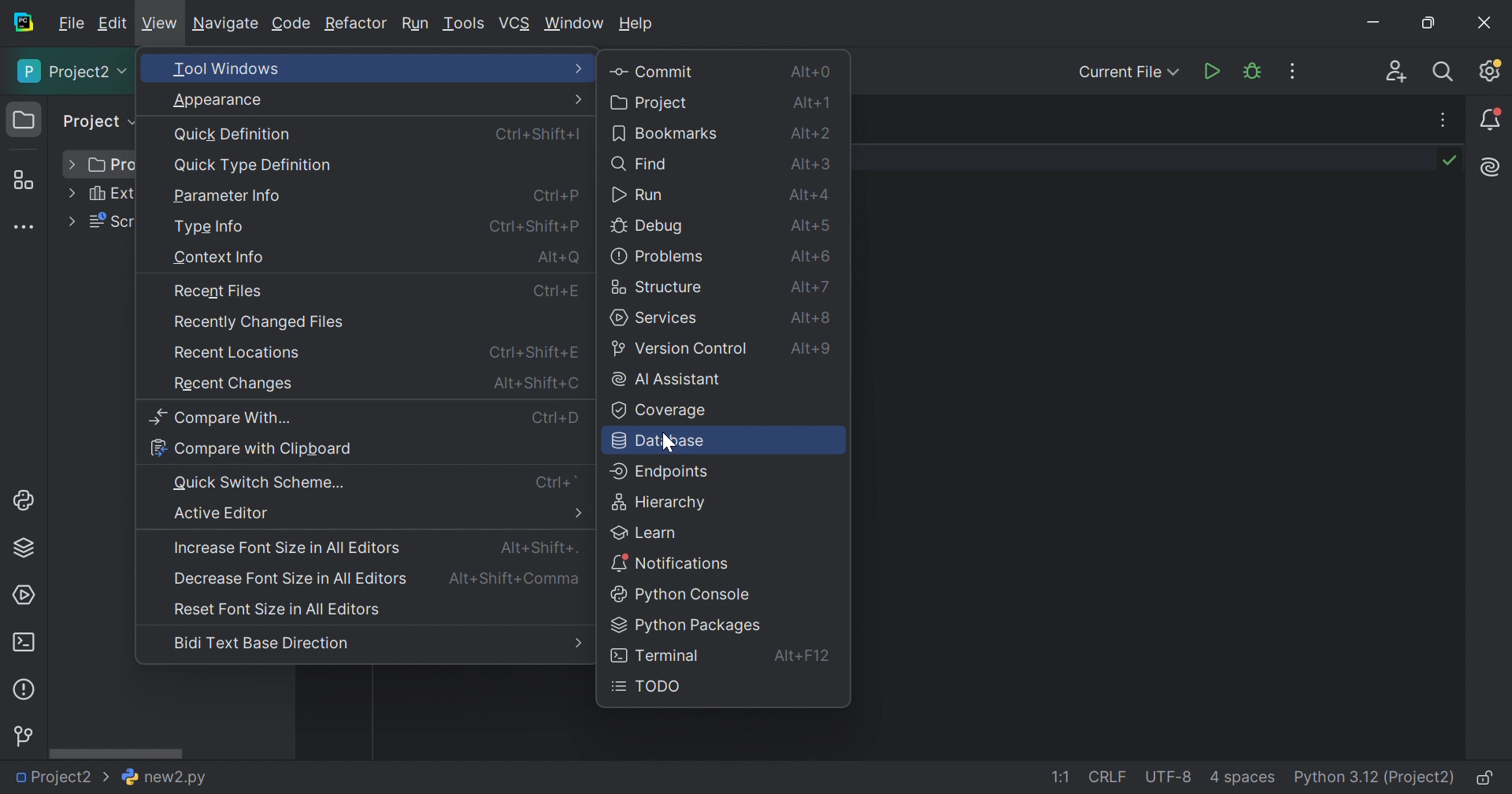 This screenshot has height=794, width=1512. I want to click on Ctrl+E, so click(561, 293).